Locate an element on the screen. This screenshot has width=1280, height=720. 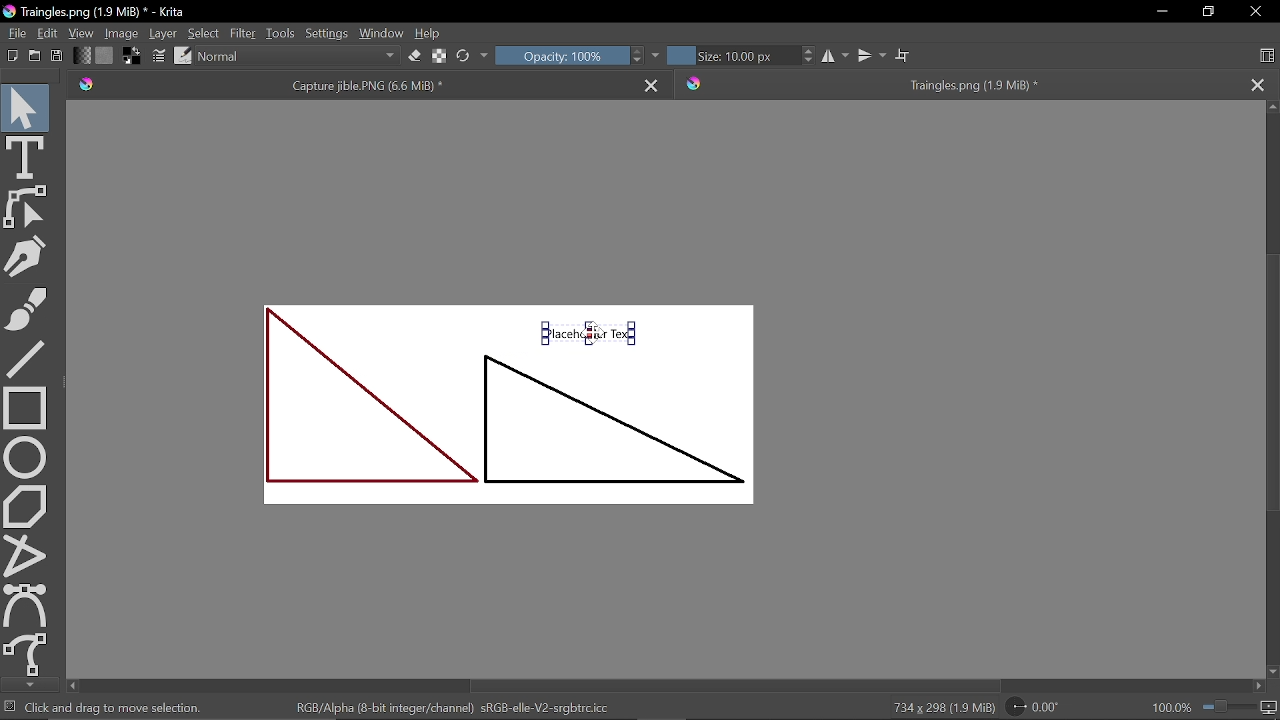
Fill pattern is located at coordinates (105, 55).